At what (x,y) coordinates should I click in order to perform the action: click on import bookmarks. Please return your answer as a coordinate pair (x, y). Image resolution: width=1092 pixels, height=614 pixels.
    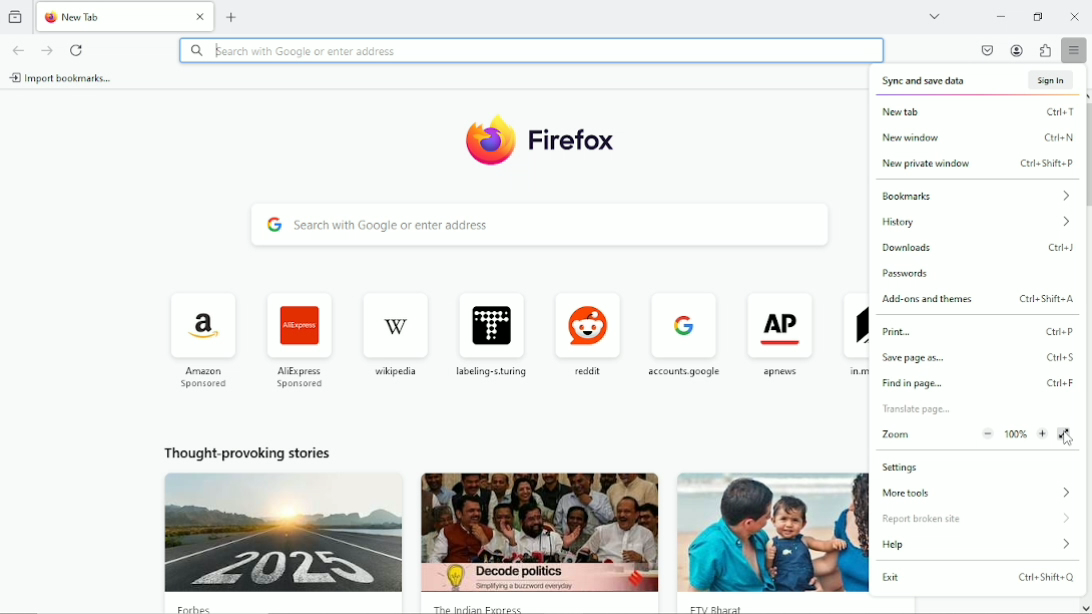
    Looking at the image, I should click on (65, 79).